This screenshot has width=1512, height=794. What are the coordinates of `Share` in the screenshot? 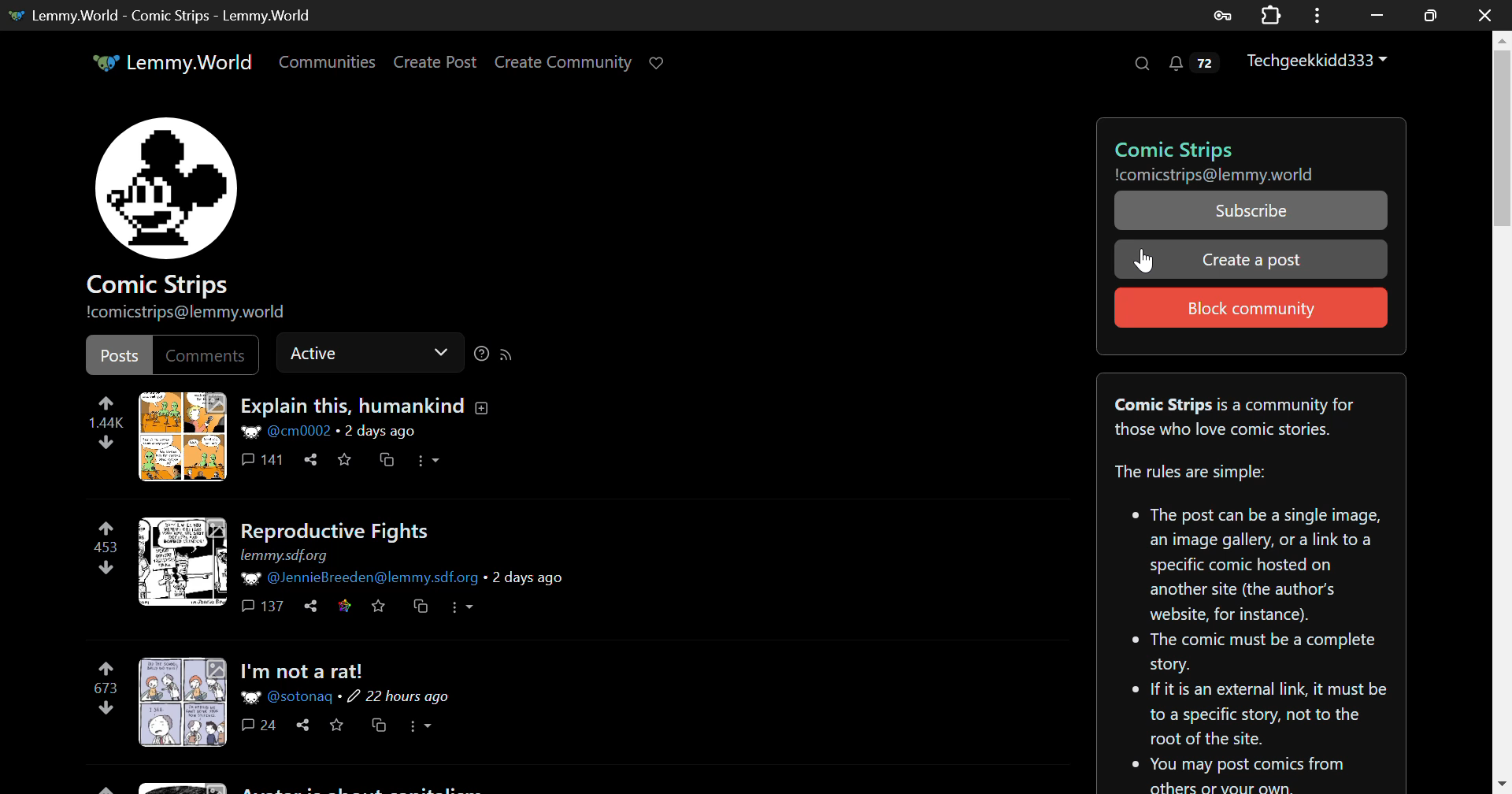 It's located at (312, 607).